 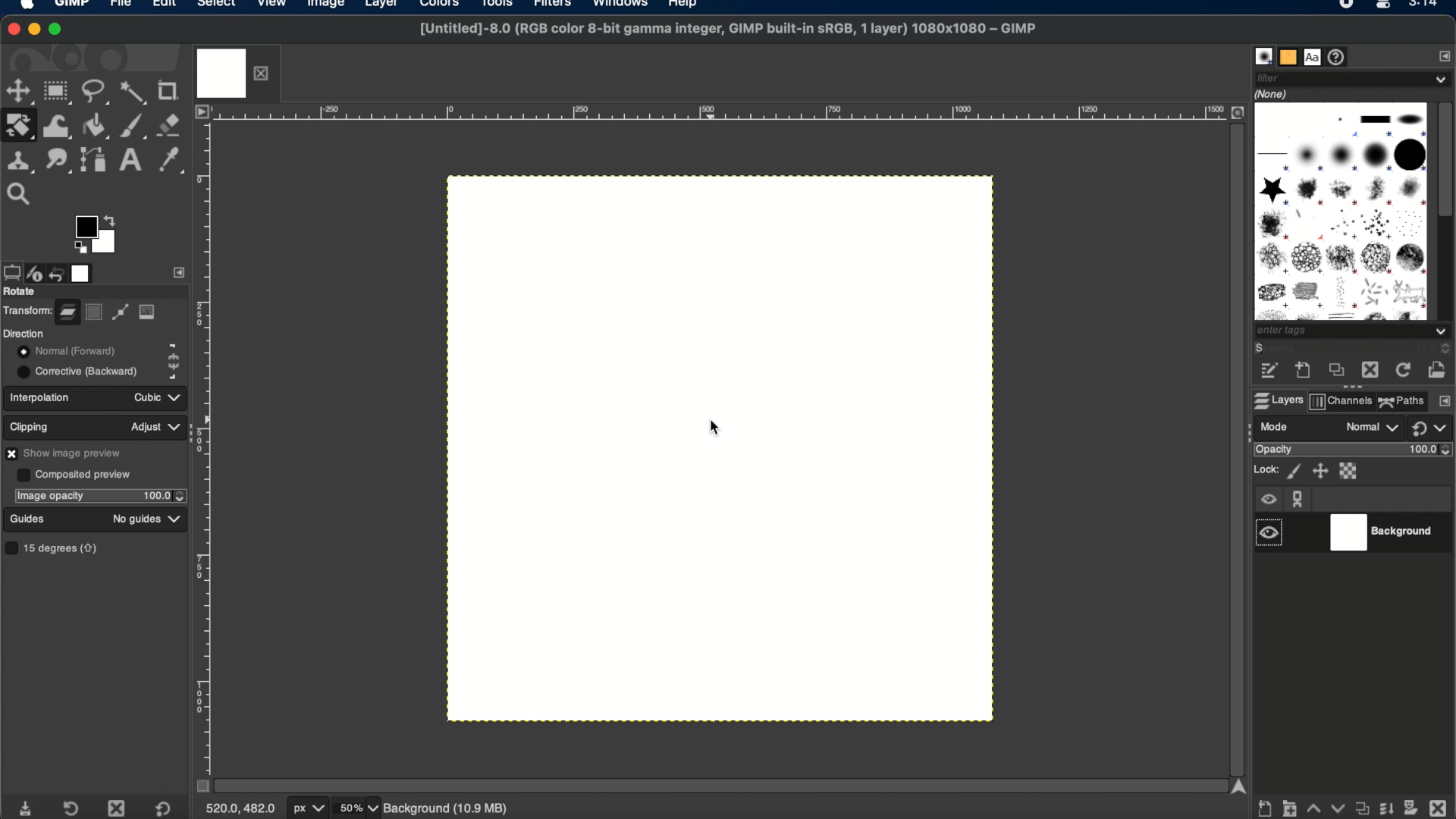 What do you see at coordinates (36, 271) in the screenshot?
I see `device status` at bounding box center [36, 271].